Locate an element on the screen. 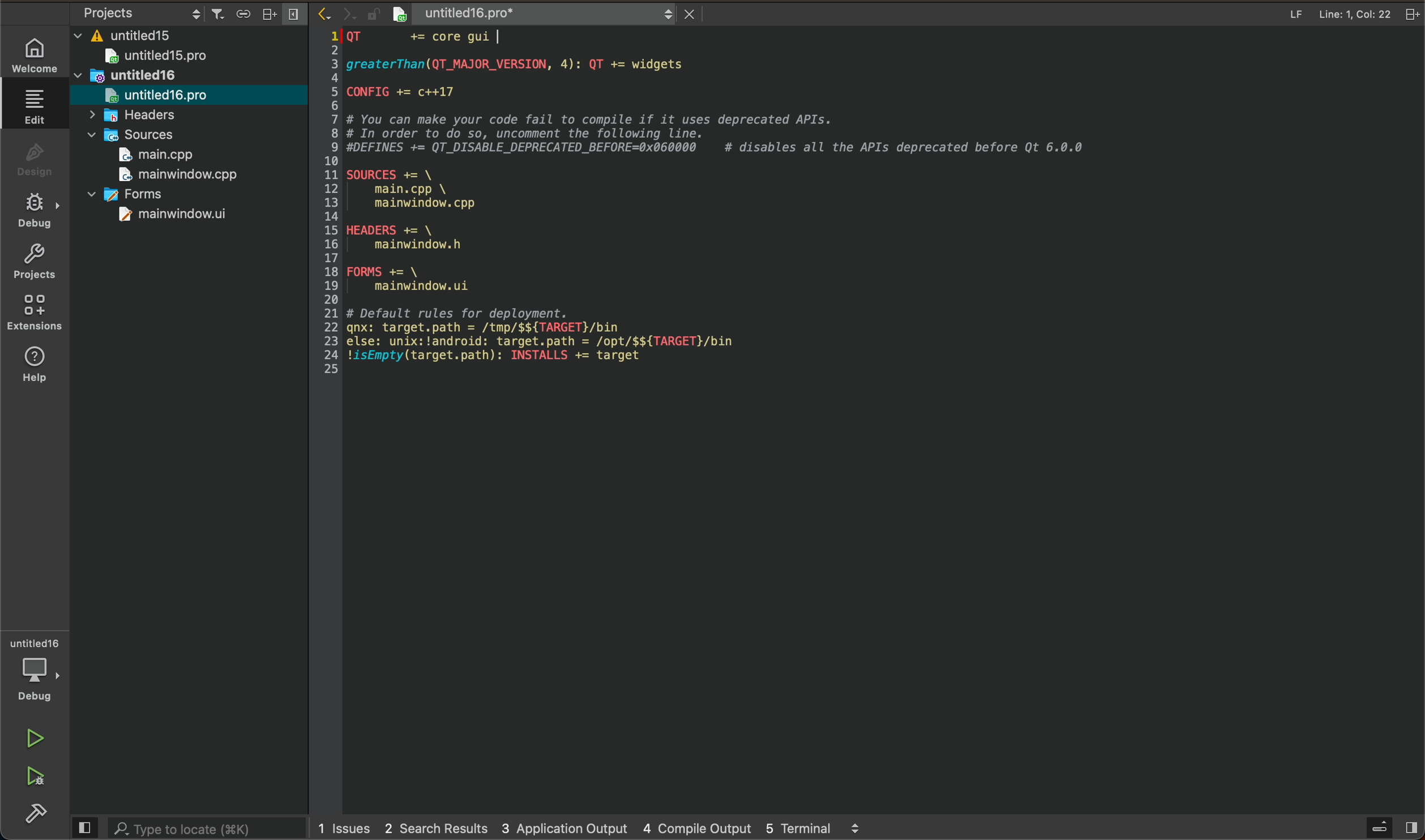 The height and width of the screenshot is (840, 1425). Extension  is located at coordinates (38, 314).